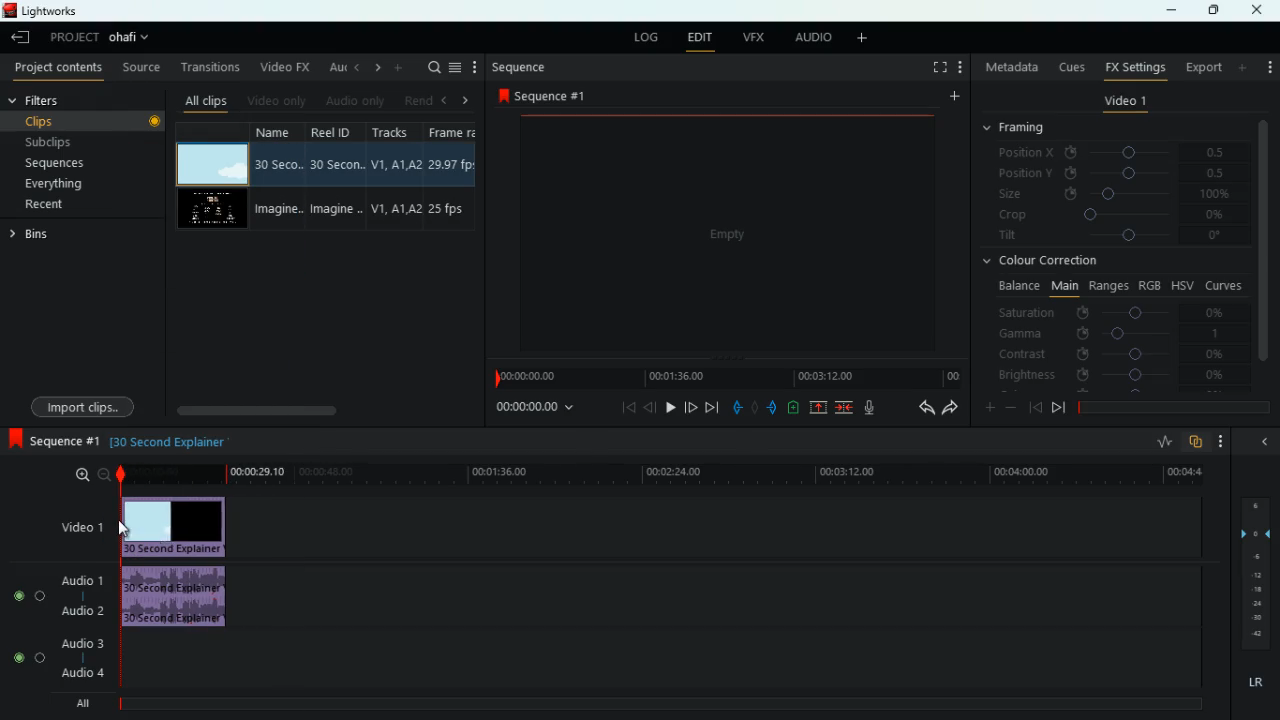 Image resolution: width=1280 pixels, height=720 pixels. Describe the element at coordinates (85, 121) in the screenshot. I see `clips` at that location.